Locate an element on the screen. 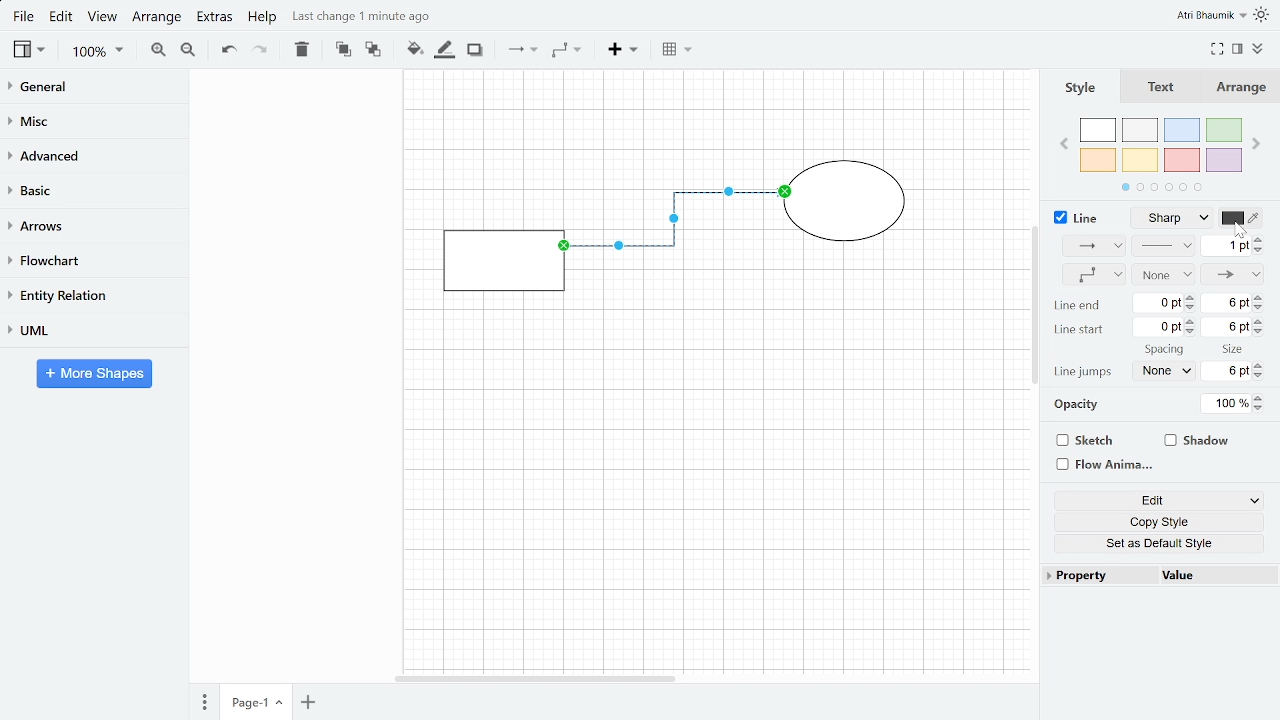  Decrease Line end spacing is located at coordinates (1191, 308).